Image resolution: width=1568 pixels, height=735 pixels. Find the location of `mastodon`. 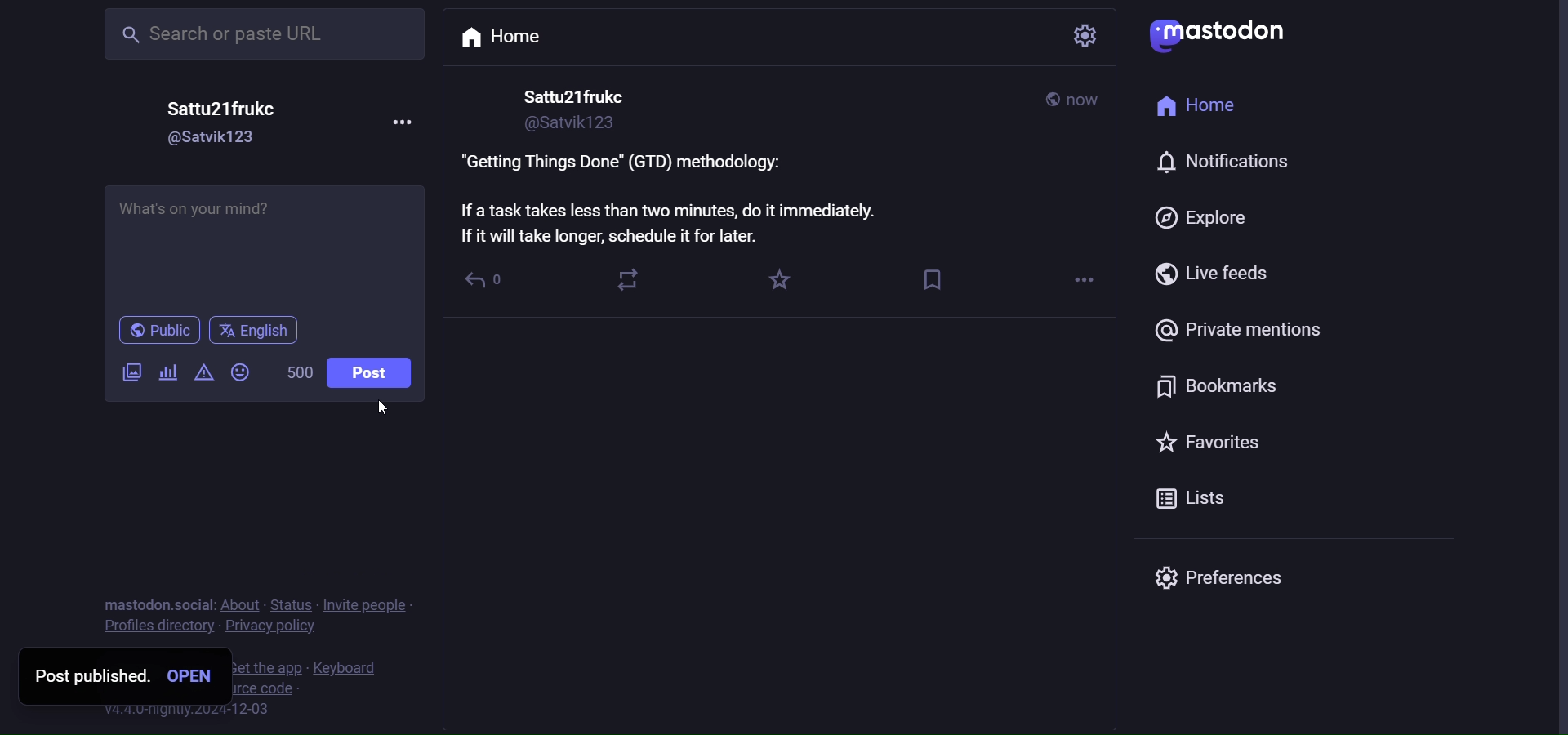

mastodon is located at coordinates (1220, 35).